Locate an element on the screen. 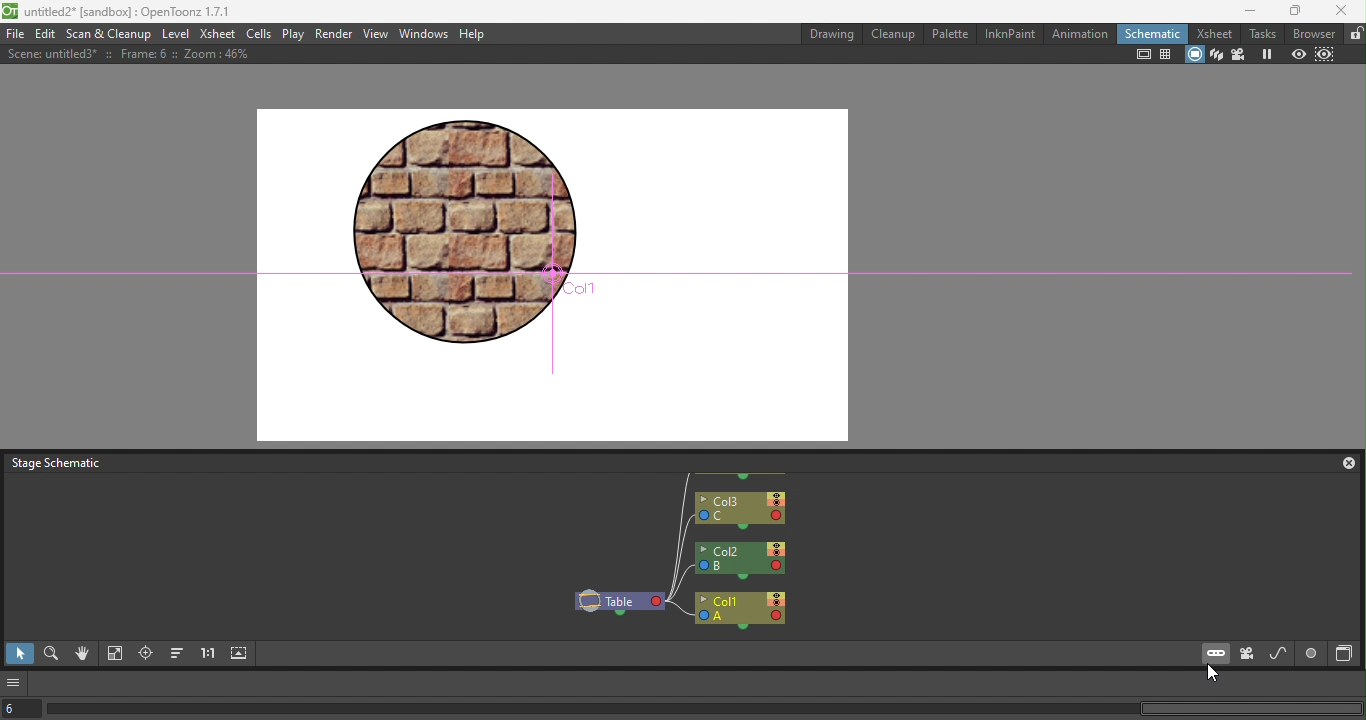 Image resolution: width=1366 pixels, height=720 pixels. Render is located at coordinates (335, 34).